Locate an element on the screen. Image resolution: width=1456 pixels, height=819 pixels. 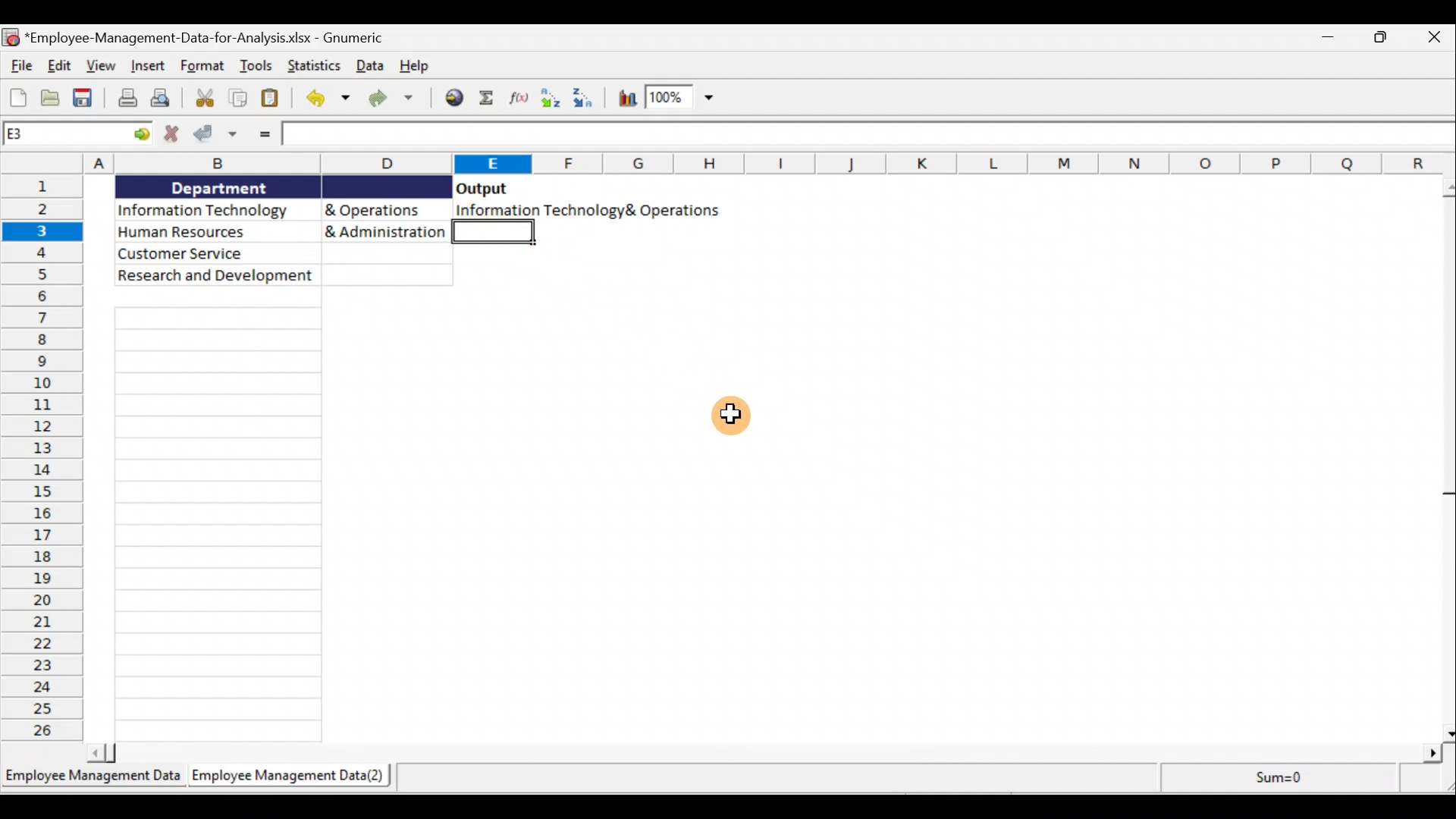
Minimise is located at coordinates (1331, 42).